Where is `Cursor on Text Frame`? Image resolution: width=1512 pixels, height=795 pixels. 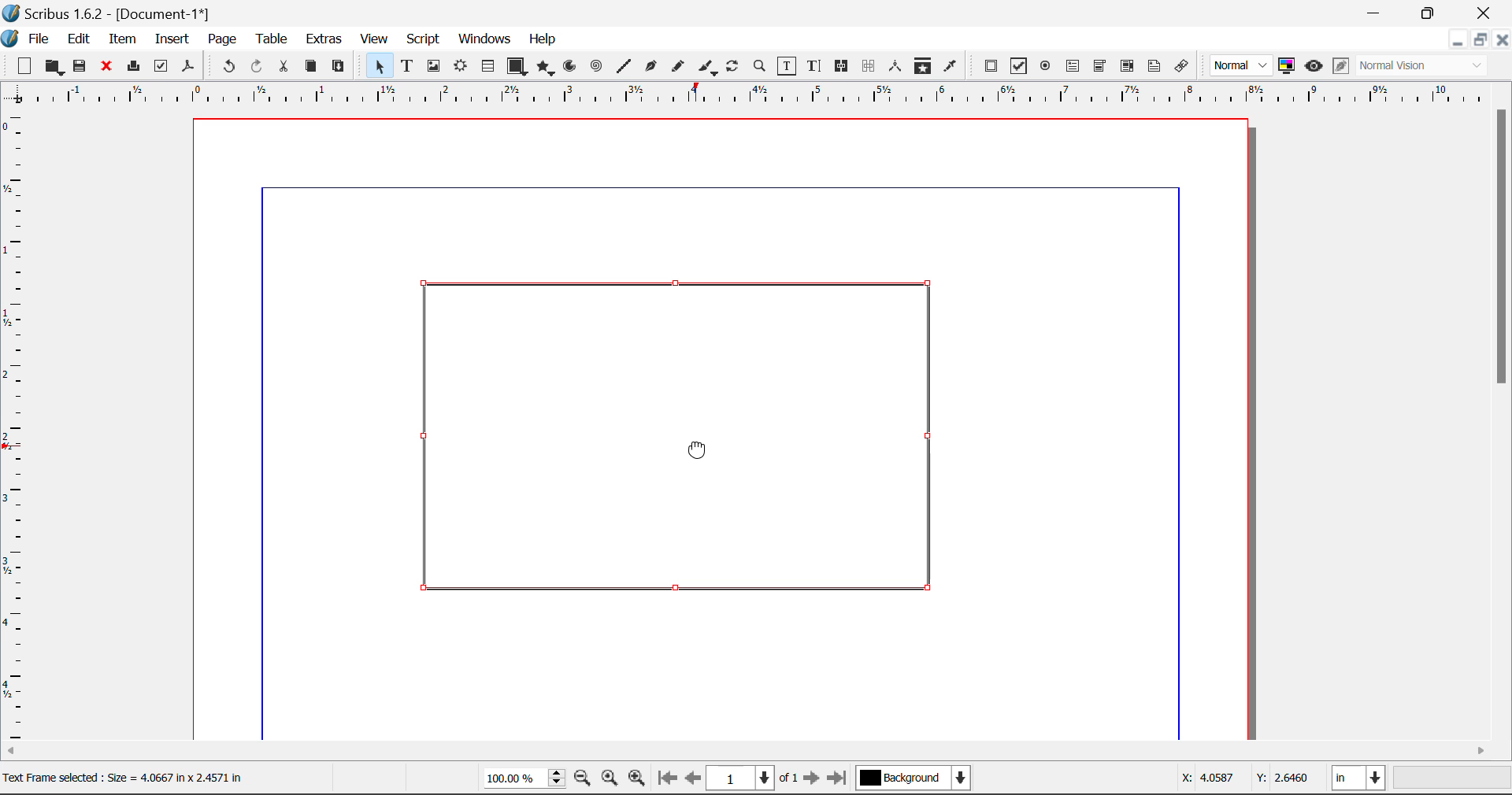 Cursor on Text Frame is located at coordinates (693, 453).